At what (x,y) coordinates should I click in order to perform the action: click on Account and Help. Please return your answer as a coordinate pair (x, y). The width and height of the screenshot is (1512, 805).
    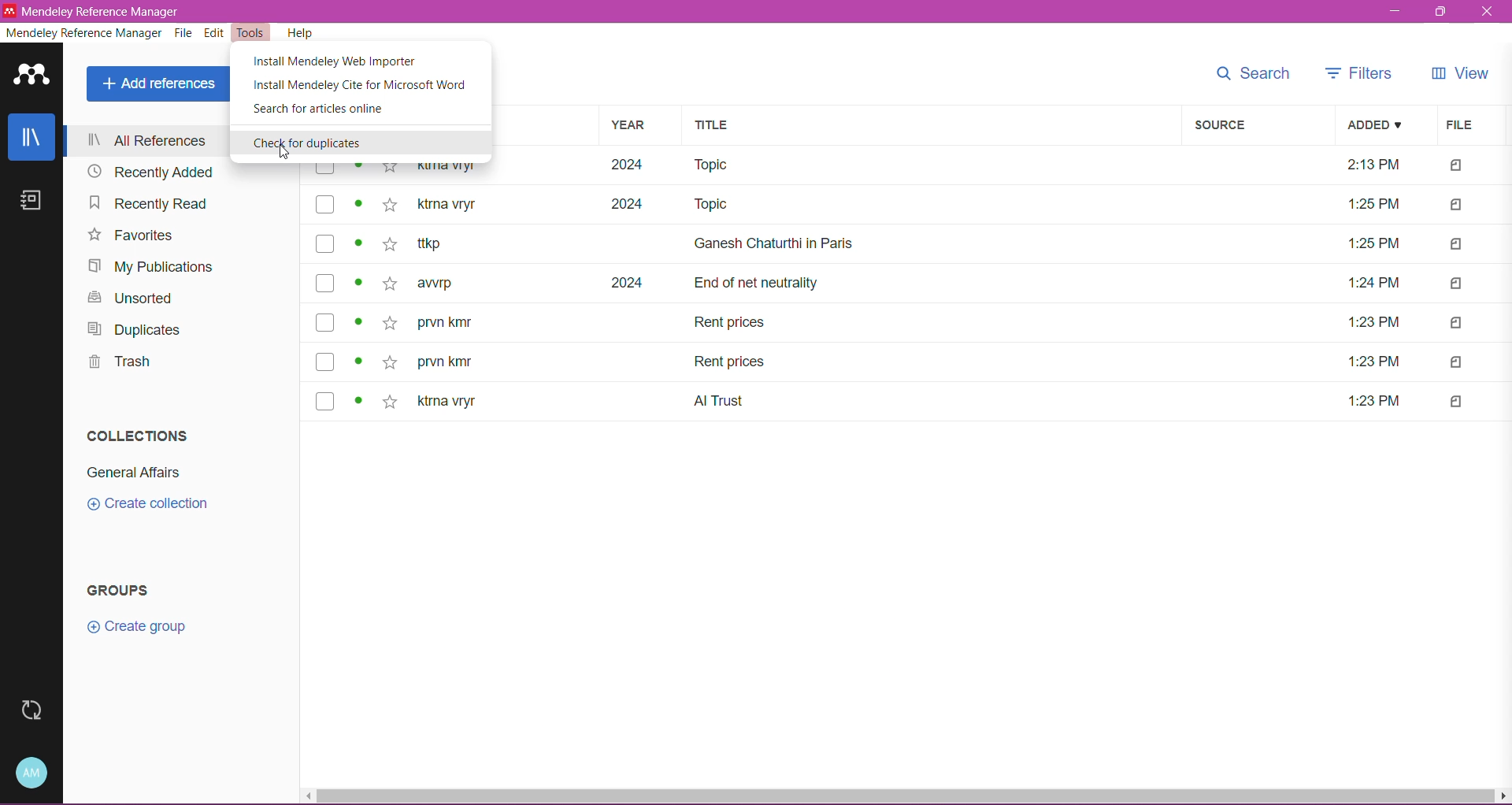
    Looking at the image, I should click on (34, 772).